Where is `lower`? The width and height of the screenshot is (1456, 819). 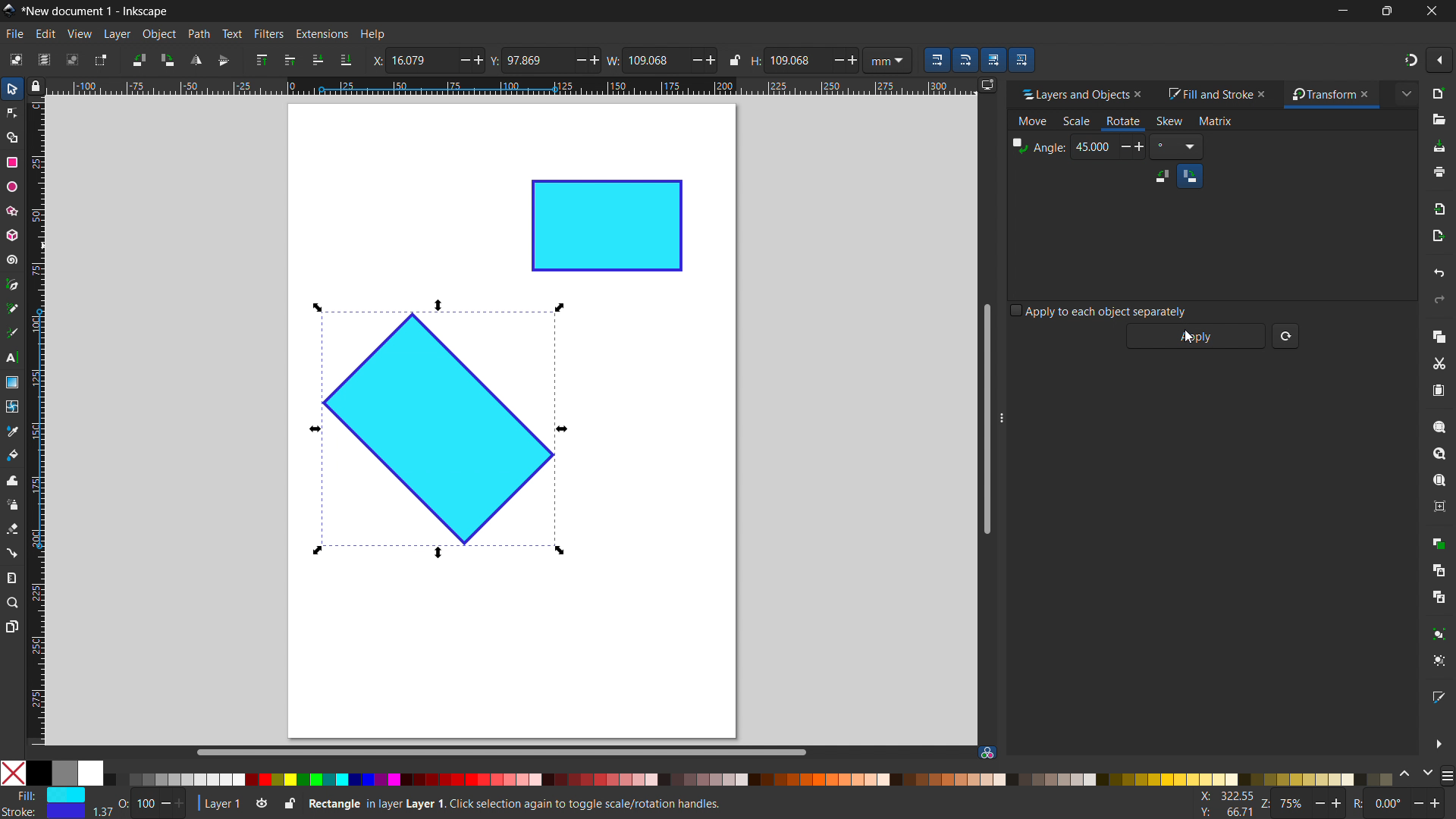 lower is located at coordinates (318, 59).